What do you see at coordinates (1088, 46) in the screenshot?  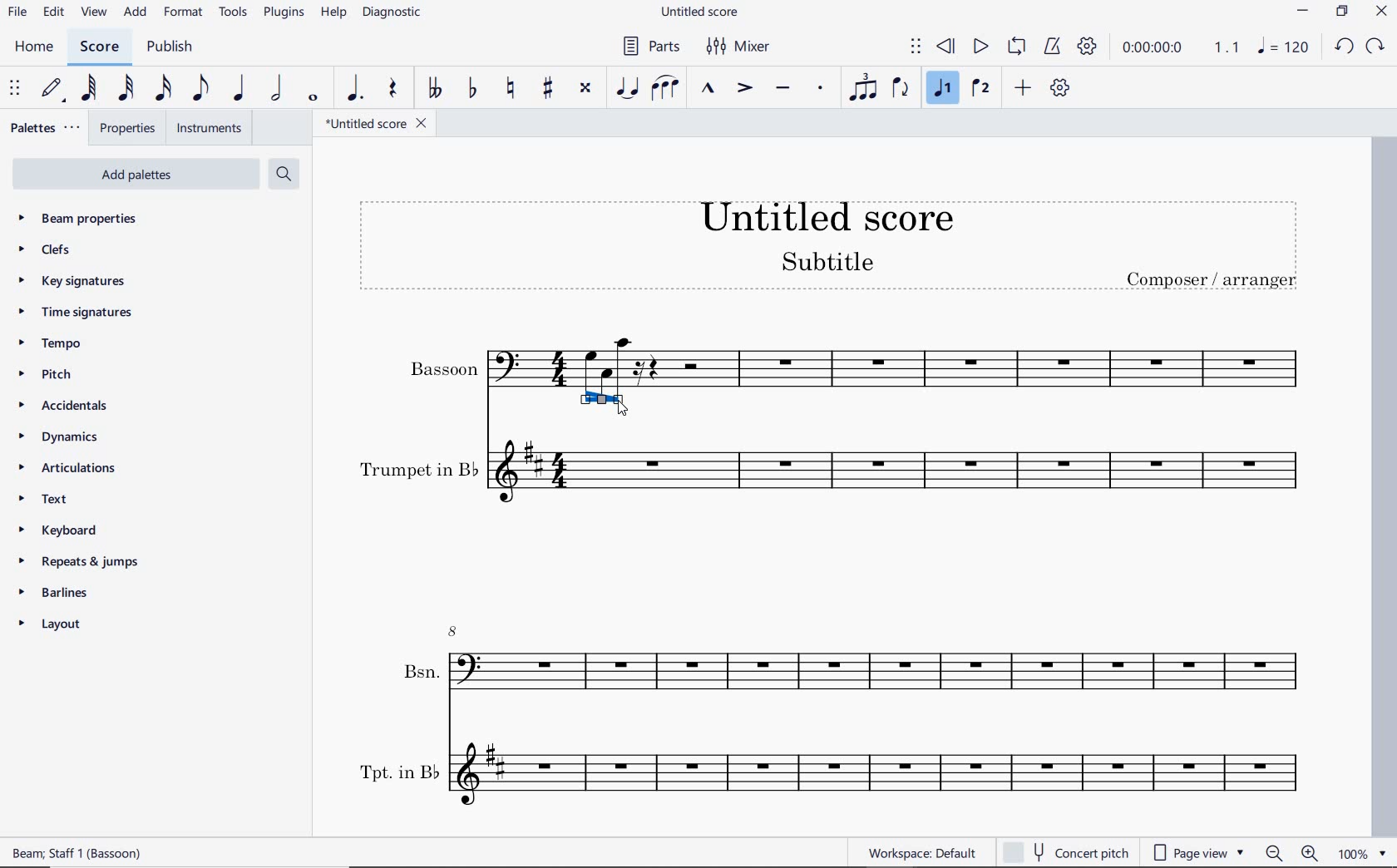 I see `playback settings` at bounding box center [1088, 46].